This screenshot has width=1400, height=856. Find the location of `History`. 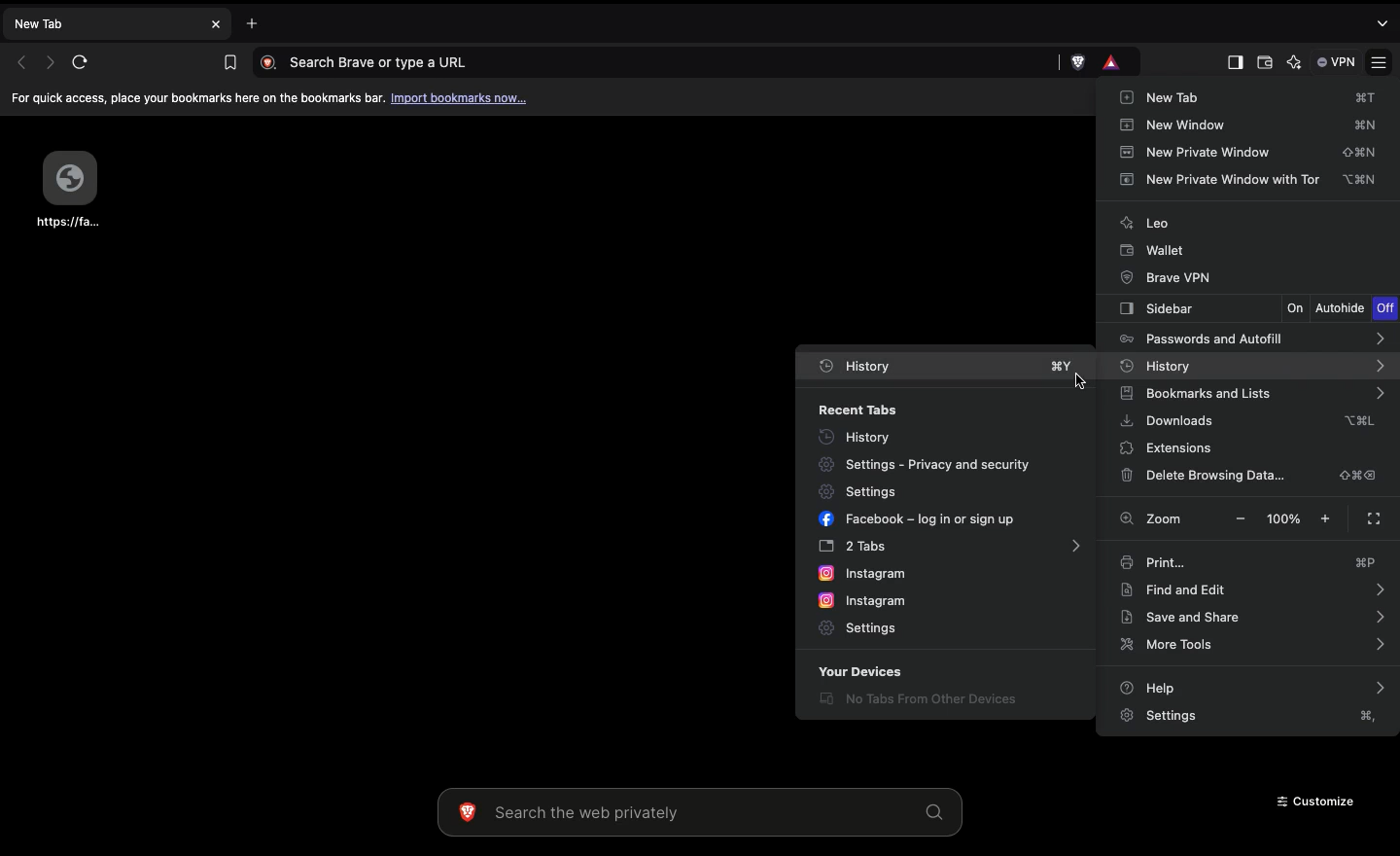

History is located at coordinates (859, 440).